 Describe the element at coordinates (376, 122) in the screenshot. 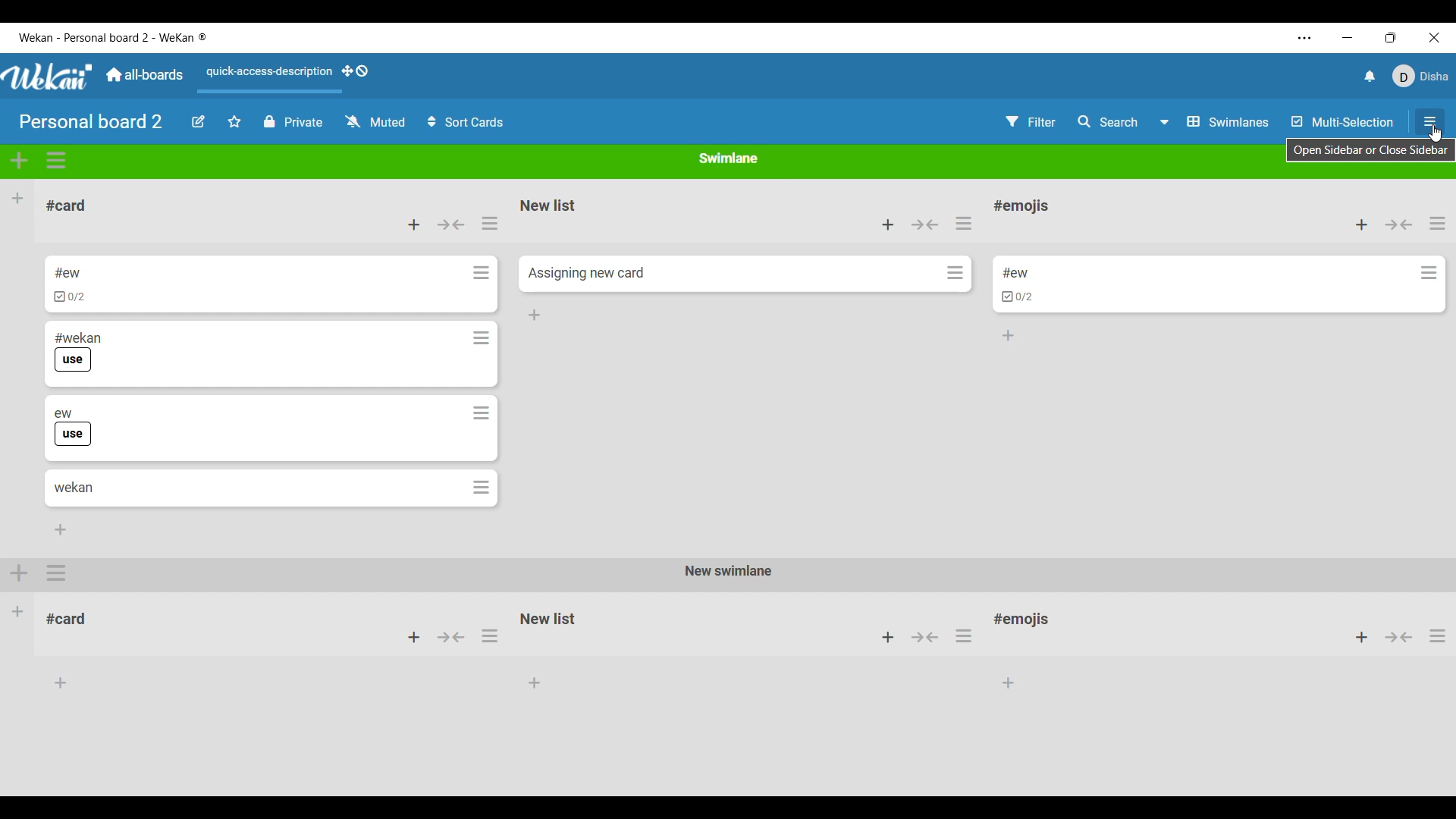

I see `Change watch options` at that location.